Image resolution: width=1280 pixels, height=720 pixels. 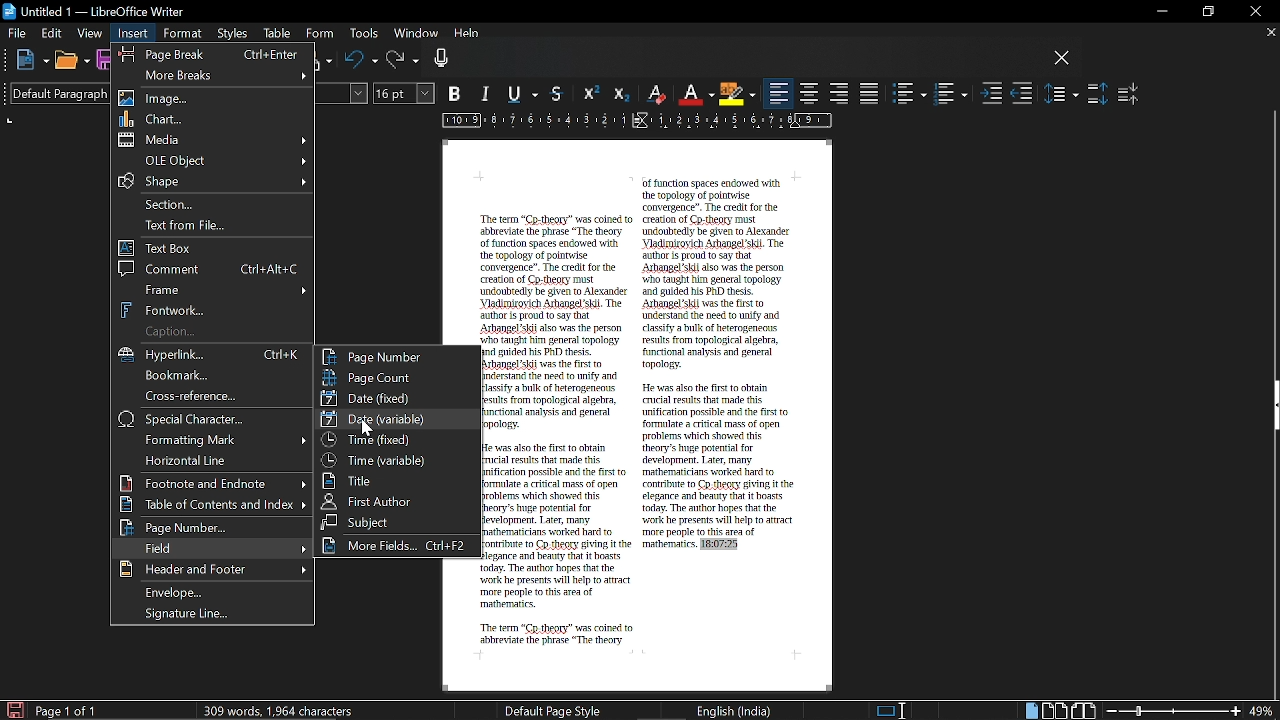 What do you see at coordinates (17, 32) in the screenshot?
I see `File` at bounding box center [17, 32].